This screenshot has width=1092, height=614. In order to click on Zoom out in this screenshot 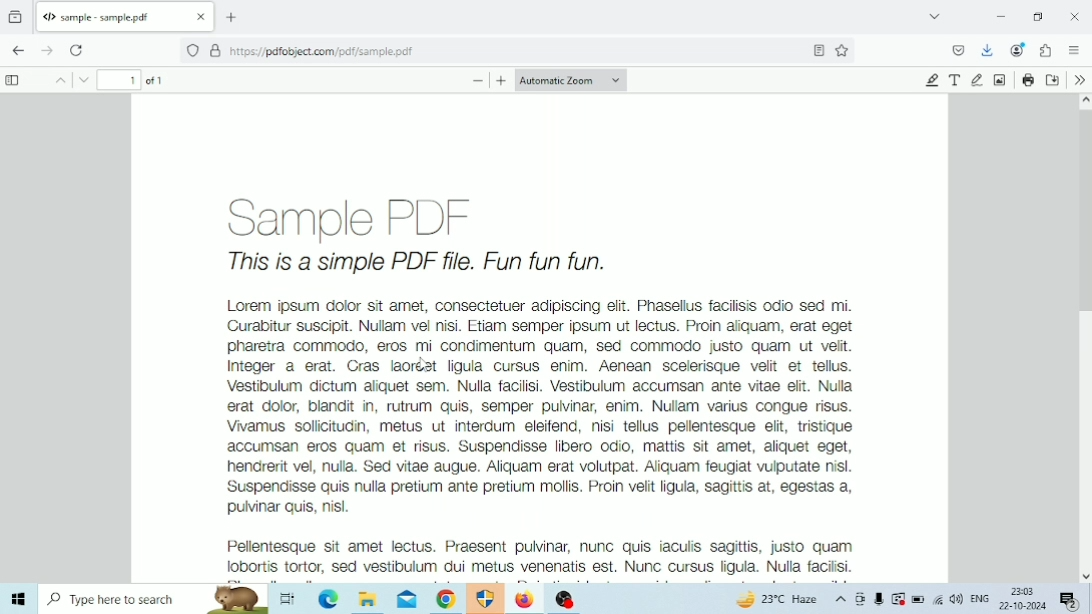, I will do `click(478, 81)`.